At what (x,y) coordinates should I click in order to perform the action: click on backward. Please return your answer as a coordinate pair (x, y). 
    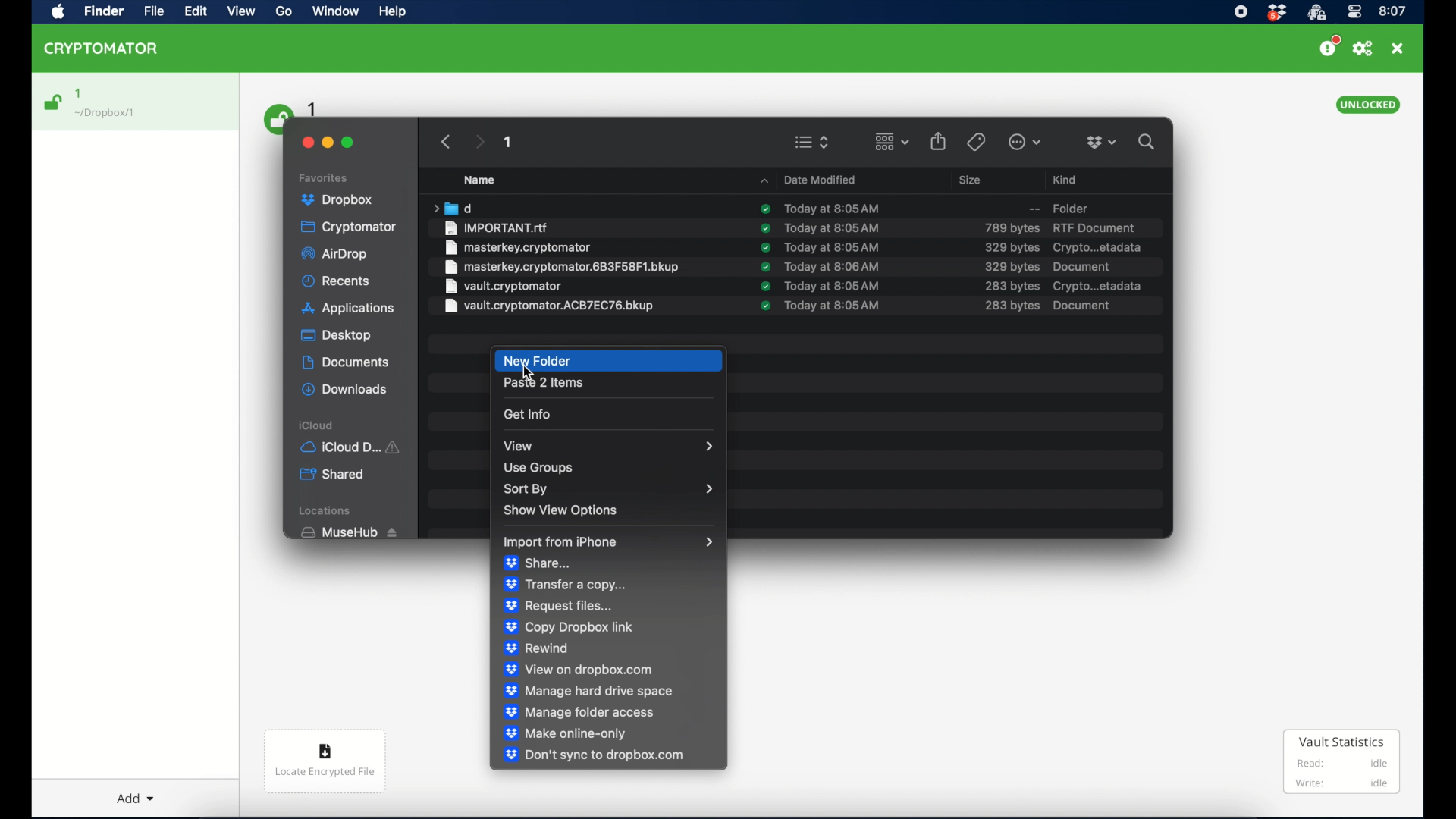
    Looking at the image, I should click on (443, 141).